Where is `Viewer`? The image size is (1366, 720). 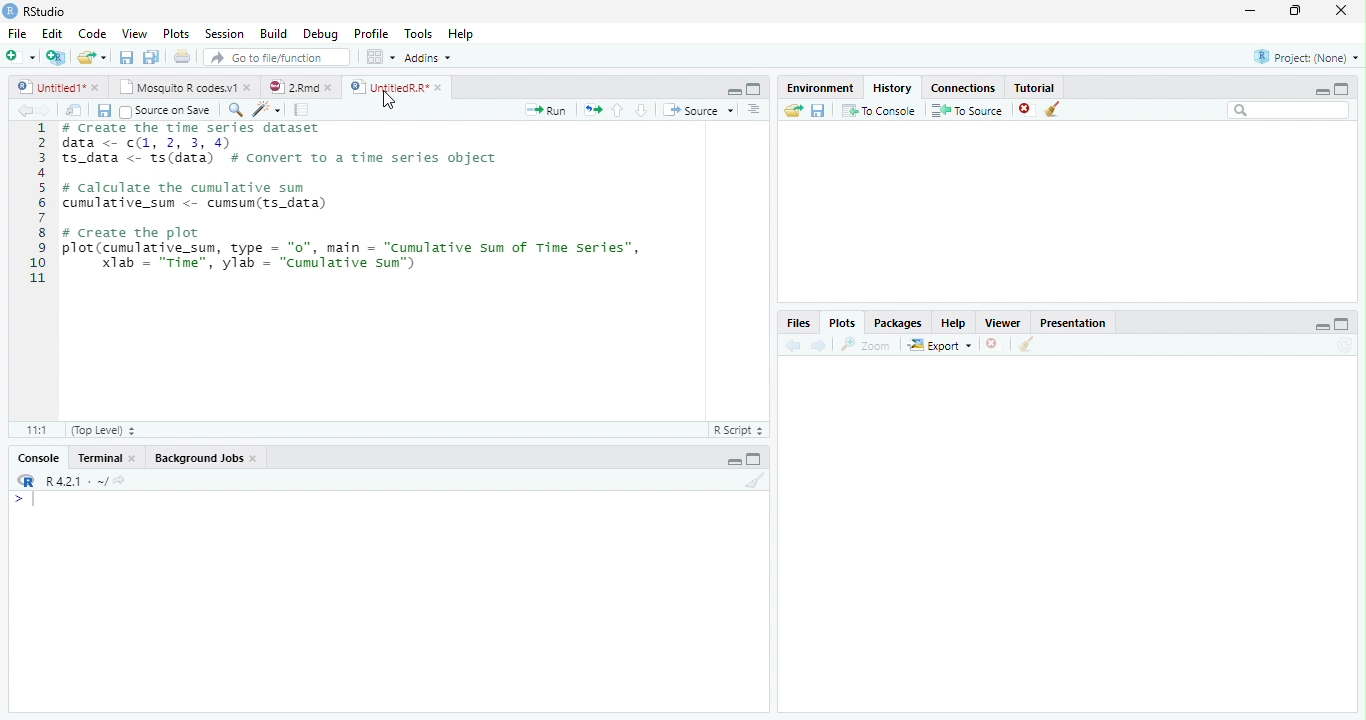
Viewer is located at coordinates (1001, 325).